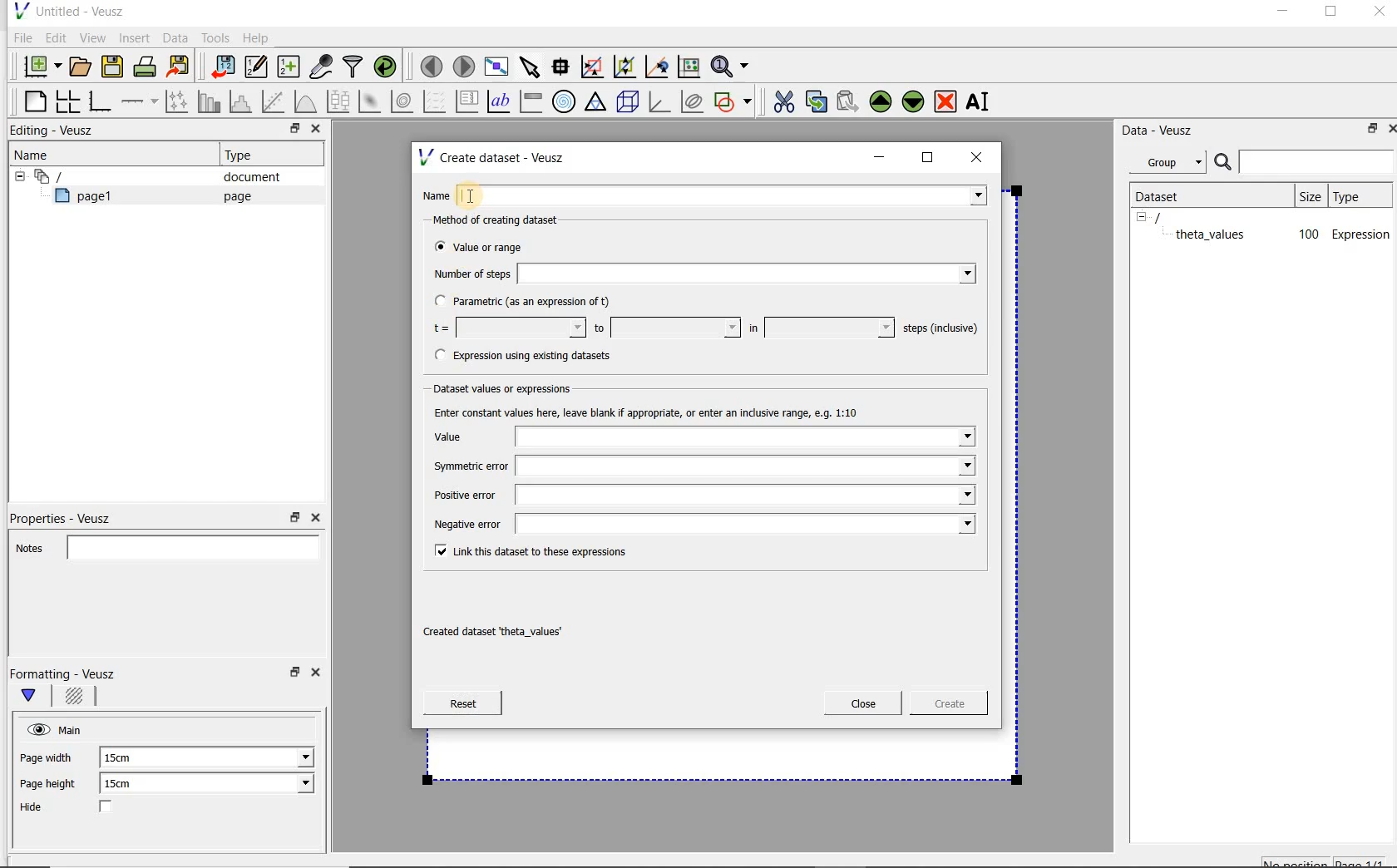  Describe the element at coordinates (210, 101) in the screenshot. I see `plot bar charts` at that location.